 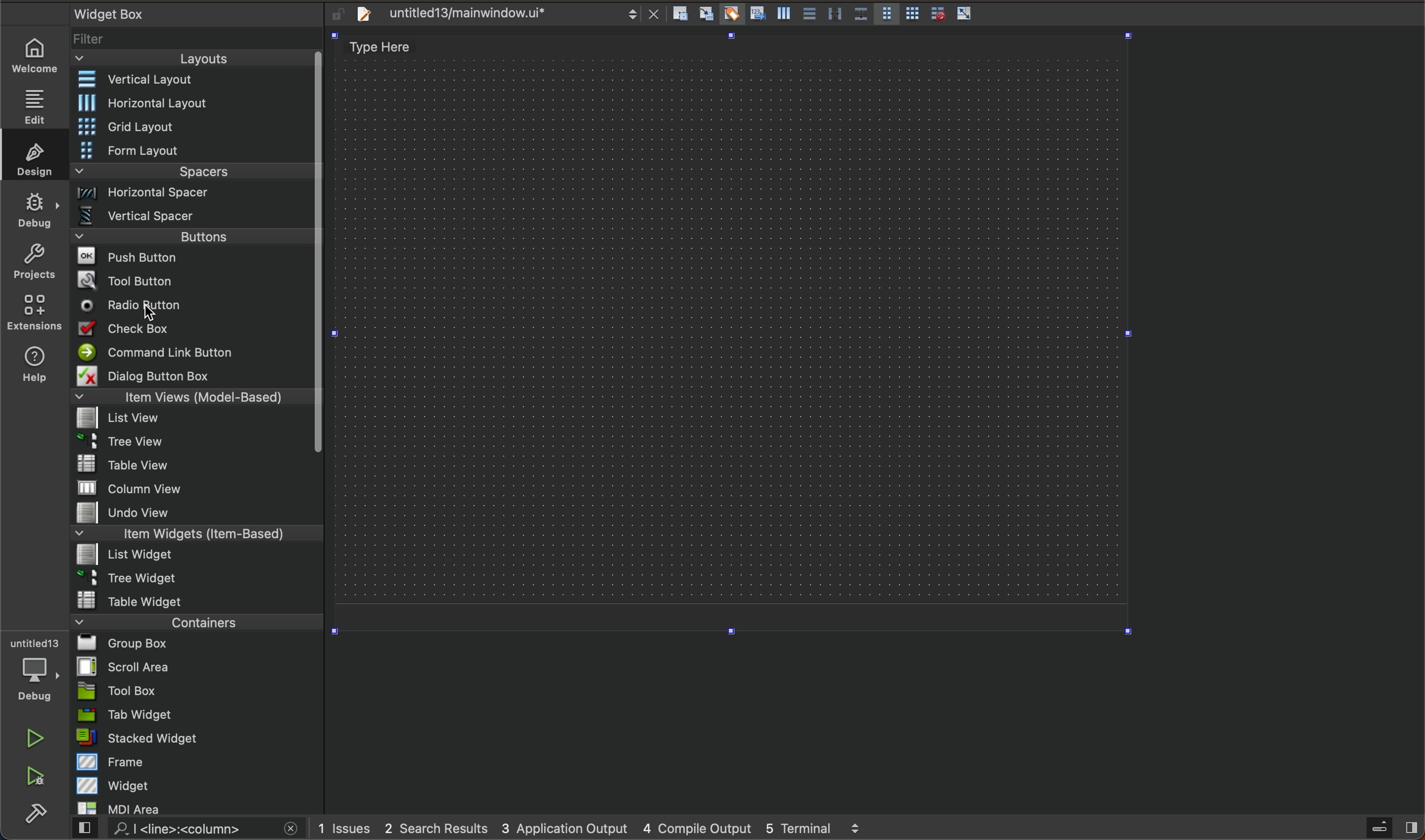 I want to click on , so click(x=193, y=556).